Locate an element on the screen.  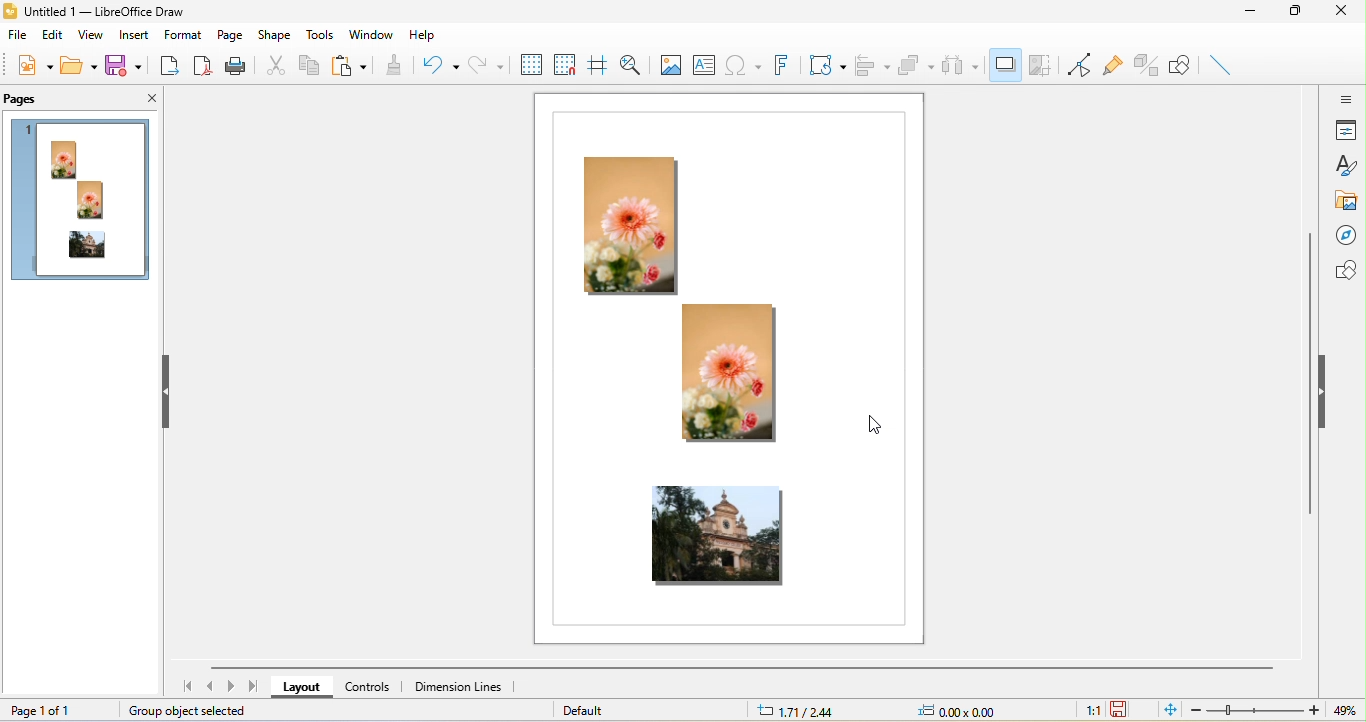
dimension lines is located at coordinates (460, 689).